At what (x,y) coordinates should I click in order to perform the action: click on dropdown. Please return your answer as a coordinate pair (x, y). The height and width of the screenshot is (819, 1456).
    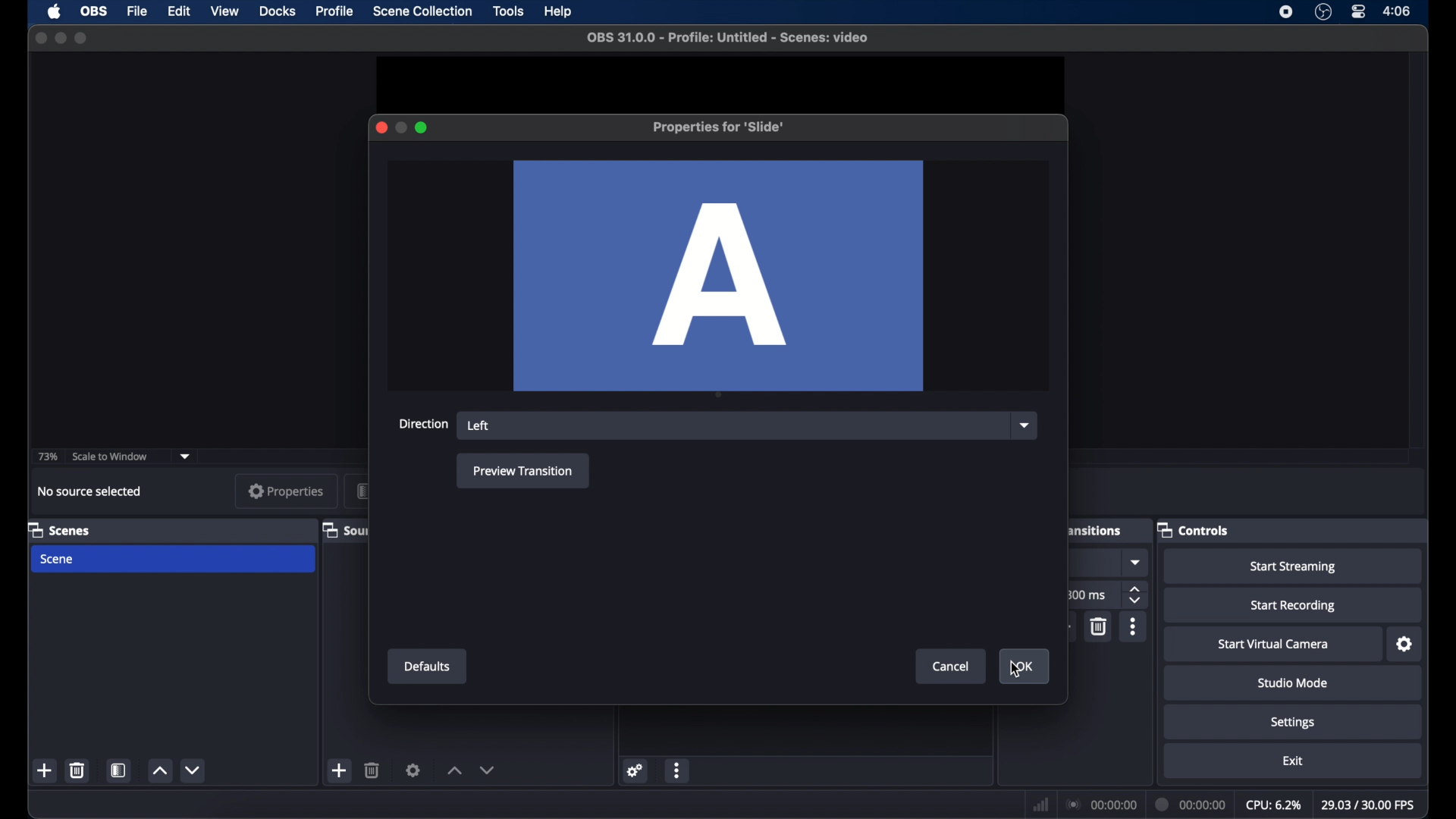
    Looking at the image, I should click on (187, 457).